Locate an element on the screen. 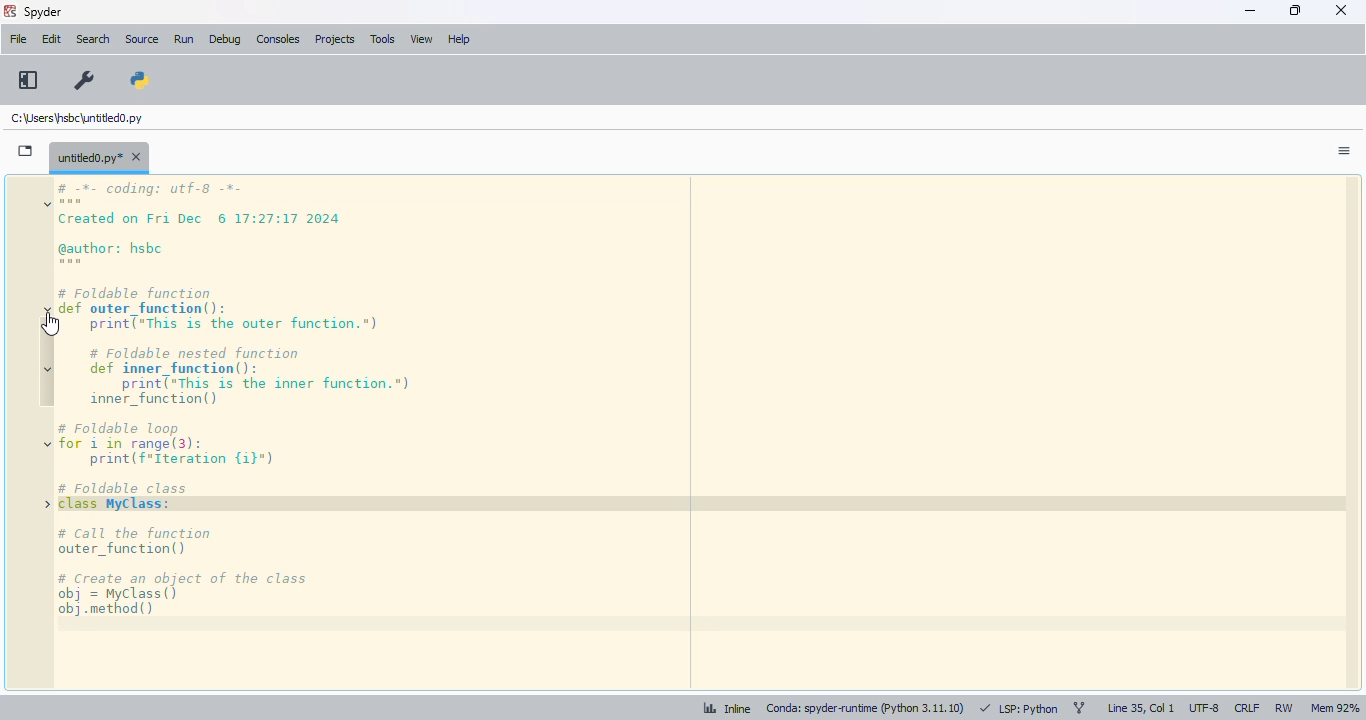 The image size is (1366, 720). file is located at coordinates (18, 39).